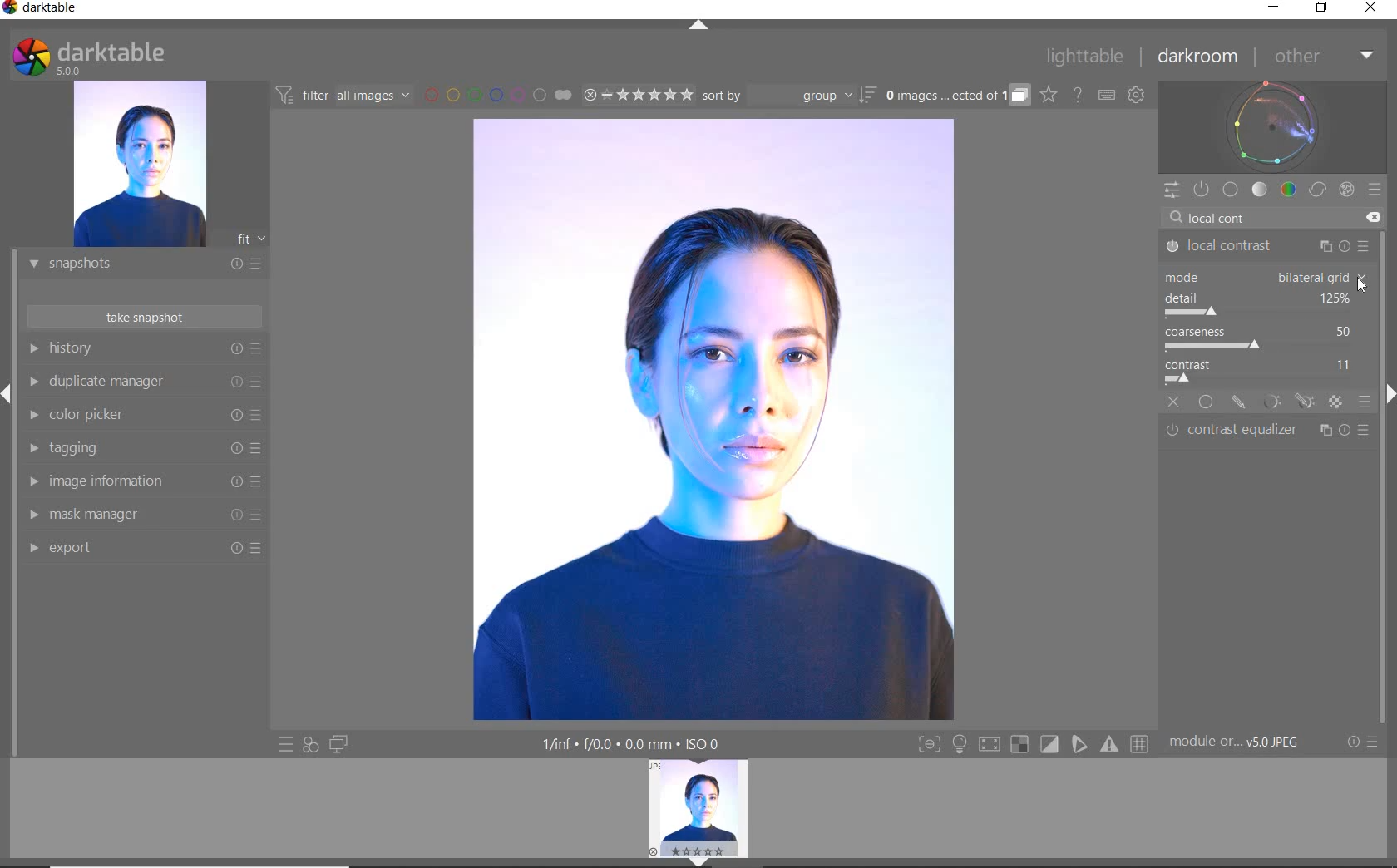 The image size is (1397, 868). Describe the element at coordinates (141, 416) in the screenshot. I see `COLOR PICKER` at that location.